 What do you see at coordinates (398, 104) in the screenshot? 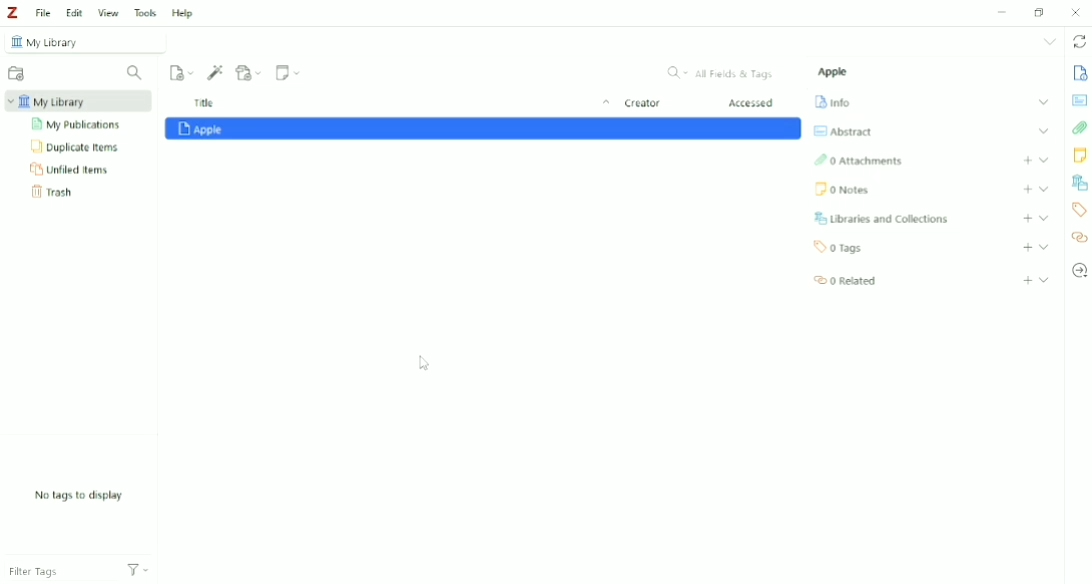
I see `Title` at bounding box center [398, 104].